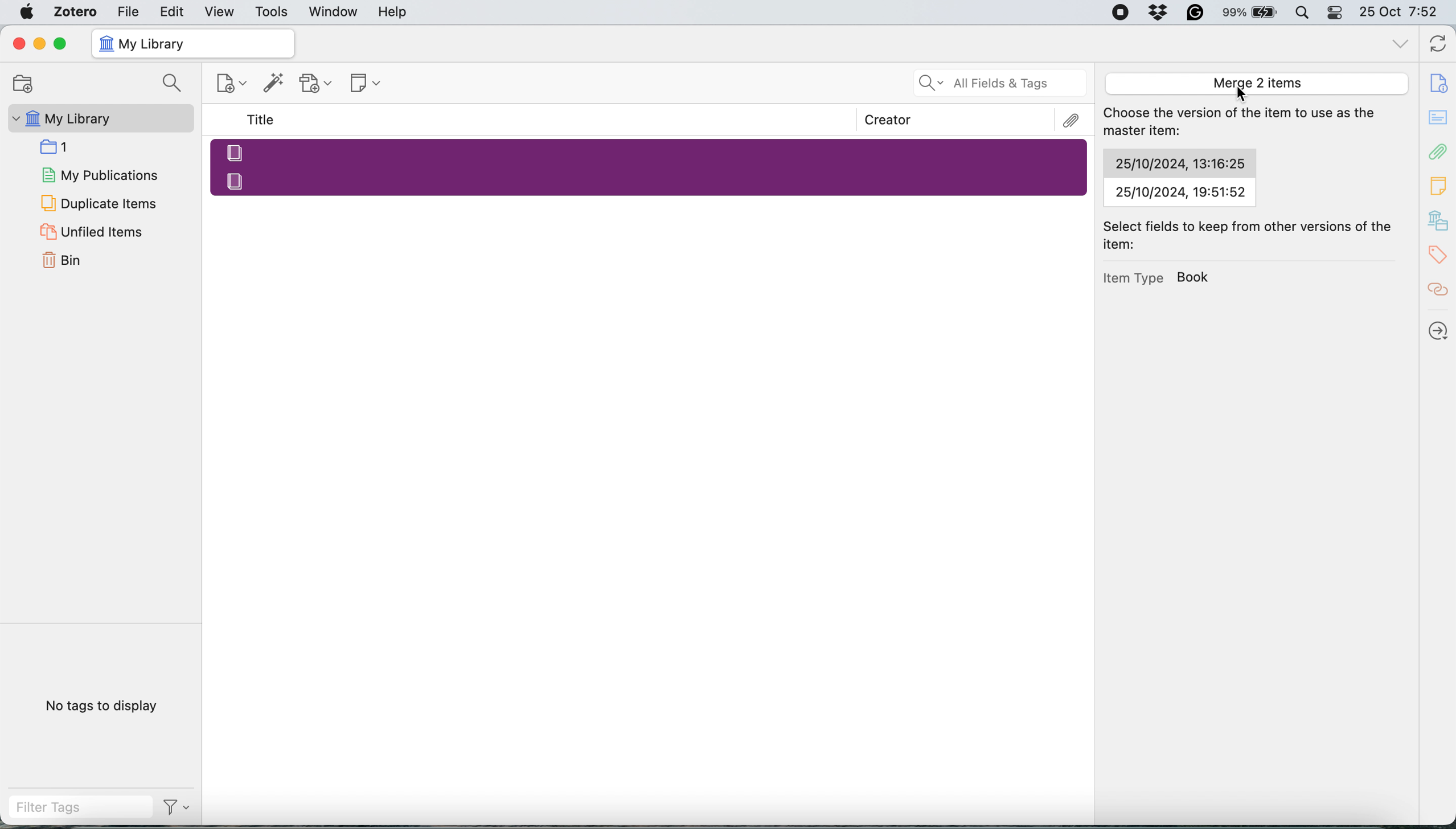  Describe the element at coordinates (1158, 277) in the screenshot. I see `Item Type: Book` at that location.